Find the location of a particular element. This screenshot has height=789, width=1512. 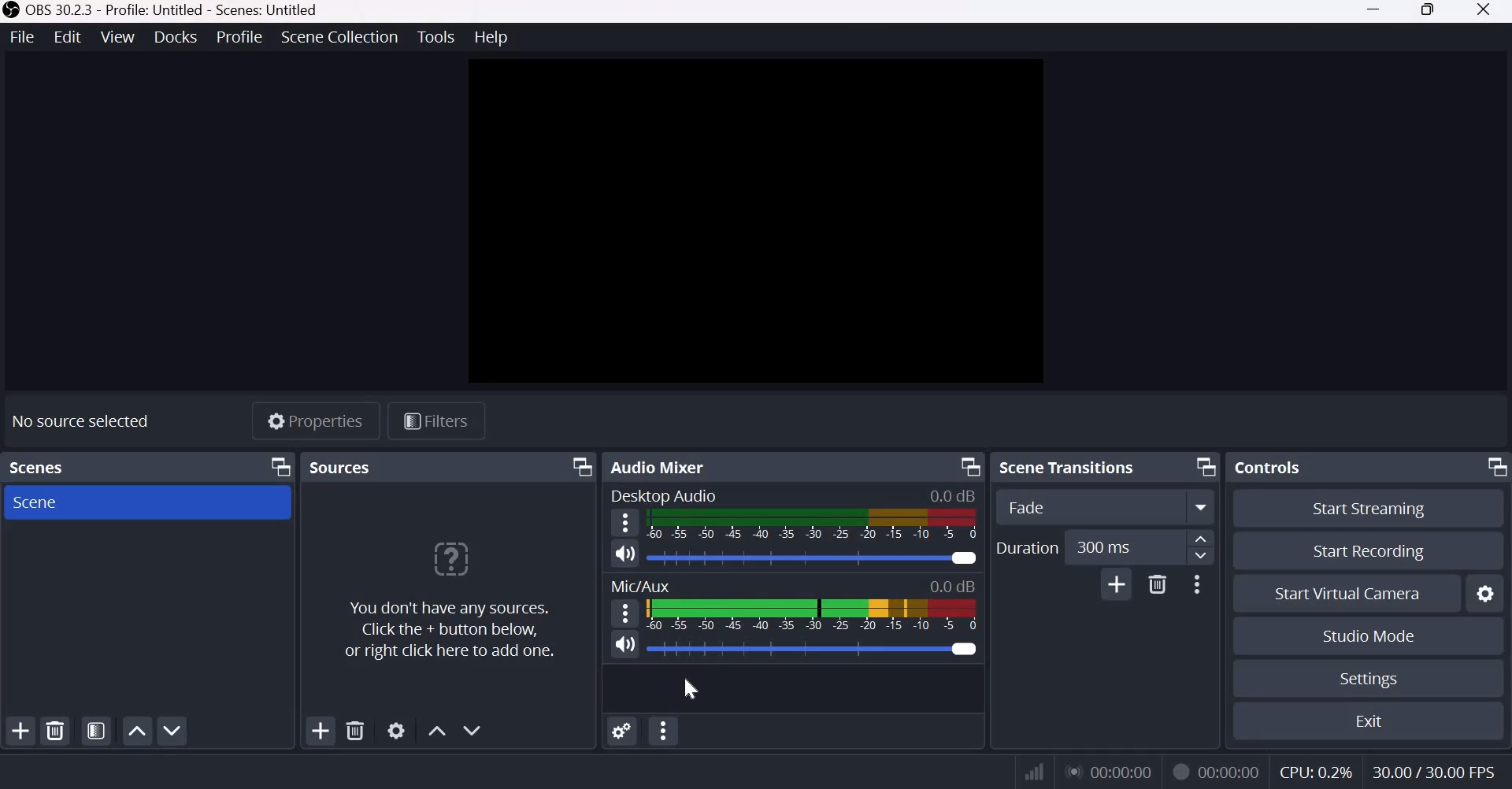

Move scene up is located at coordinates (138, 731).